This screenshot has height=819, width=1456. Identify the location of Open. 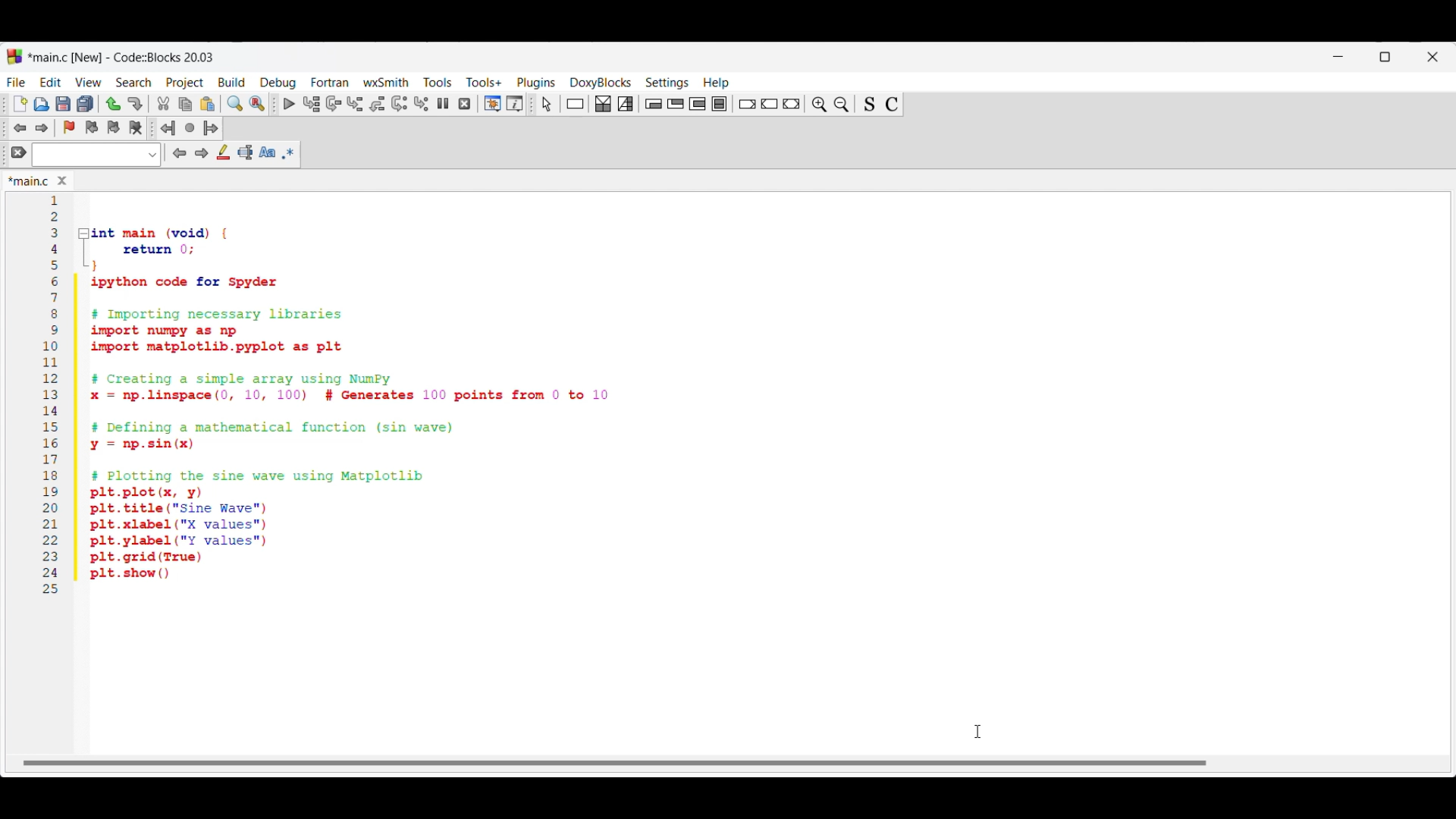
(42, 104).